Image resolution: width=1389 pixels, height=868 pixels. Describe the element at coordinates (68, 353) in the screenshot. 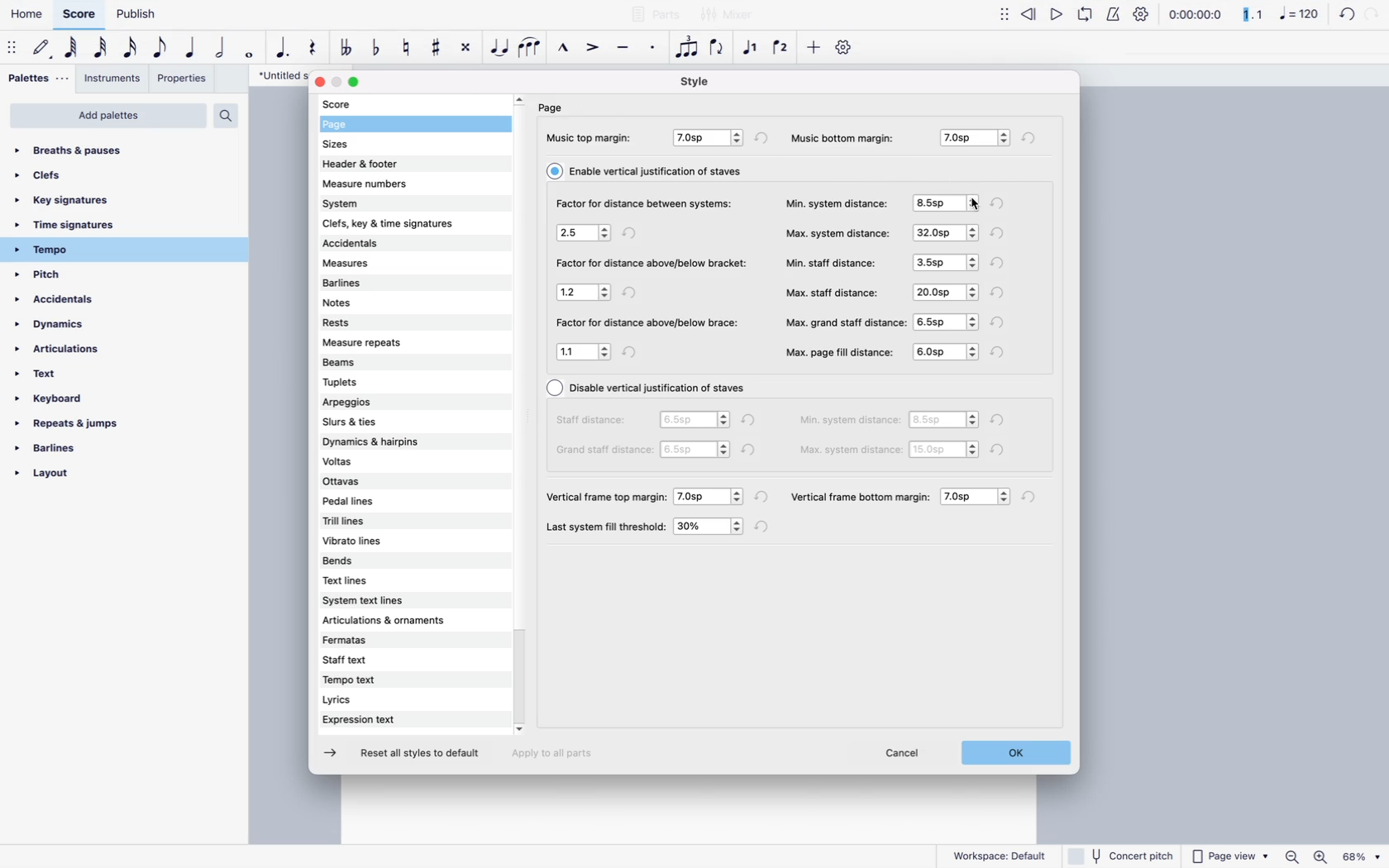

I see `articulations` at that location.